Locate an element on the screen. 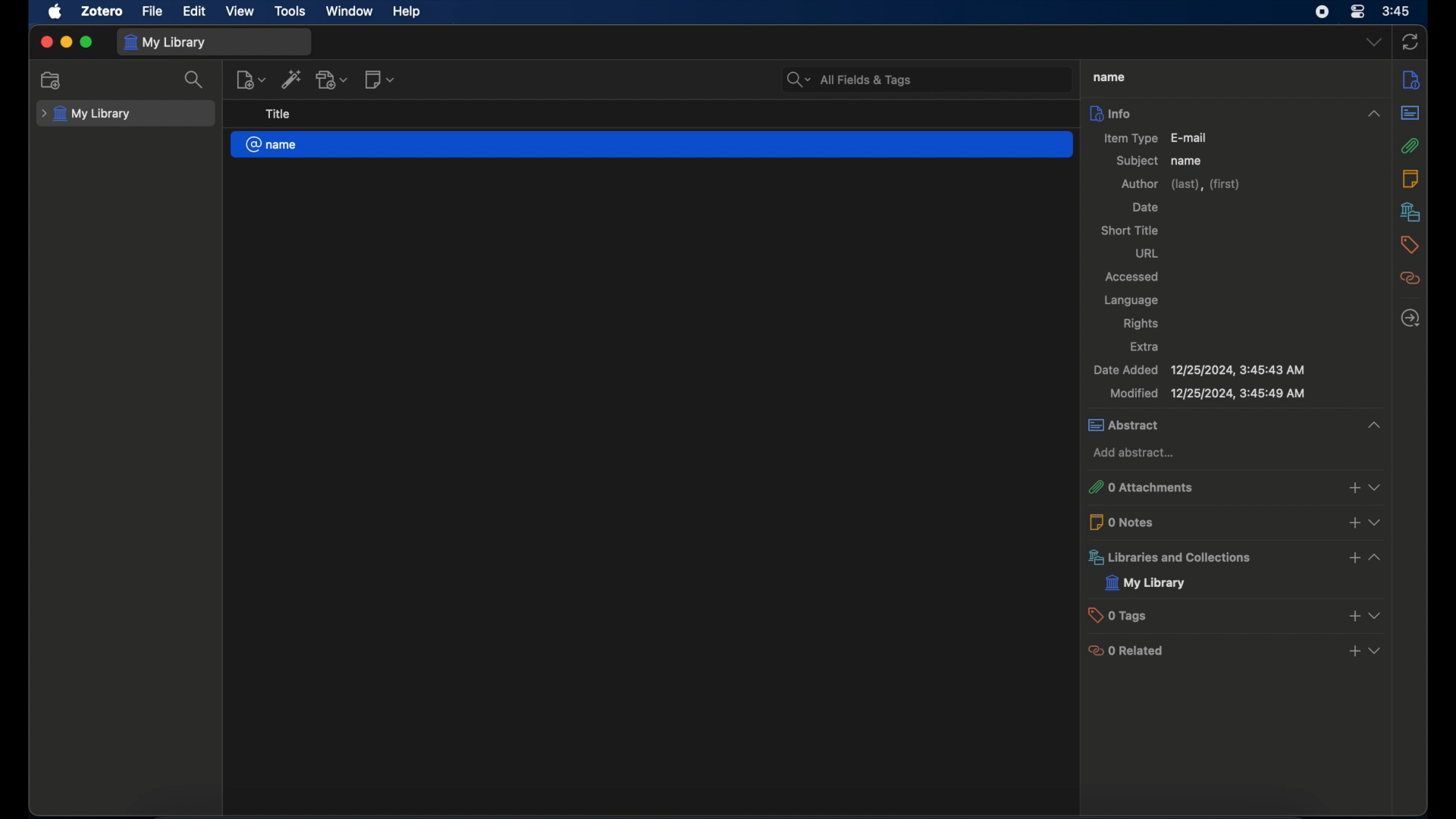 The image size is (1456, 819). 0 attachments is located at coordinates (1237, 486).